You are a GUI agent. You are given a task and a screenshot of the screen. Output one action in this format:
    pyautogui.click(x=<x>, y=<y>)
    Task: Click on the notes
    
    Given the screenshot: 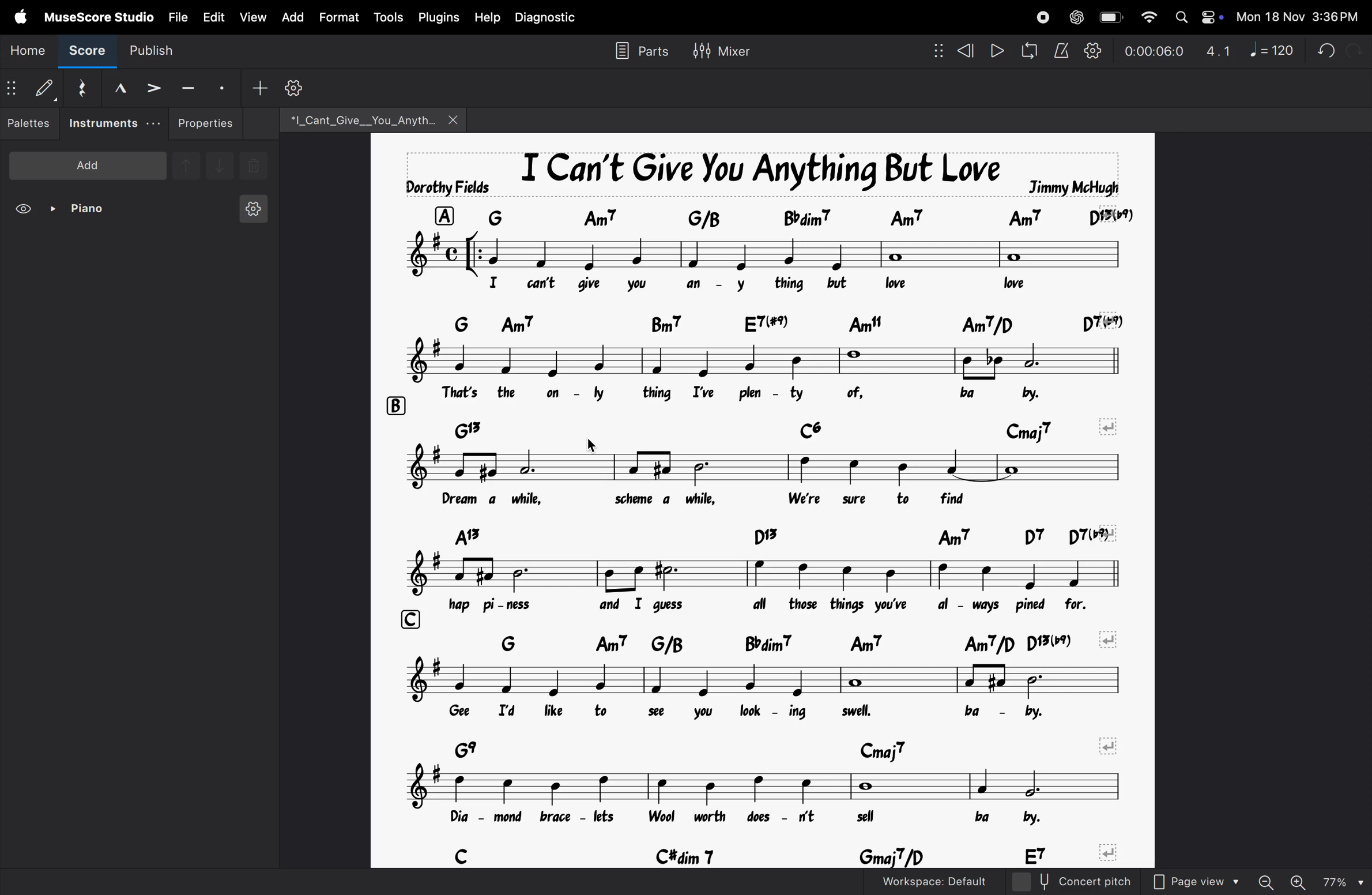 What is the action you would take?
    pyautogui.click(x=768, y=363)
    